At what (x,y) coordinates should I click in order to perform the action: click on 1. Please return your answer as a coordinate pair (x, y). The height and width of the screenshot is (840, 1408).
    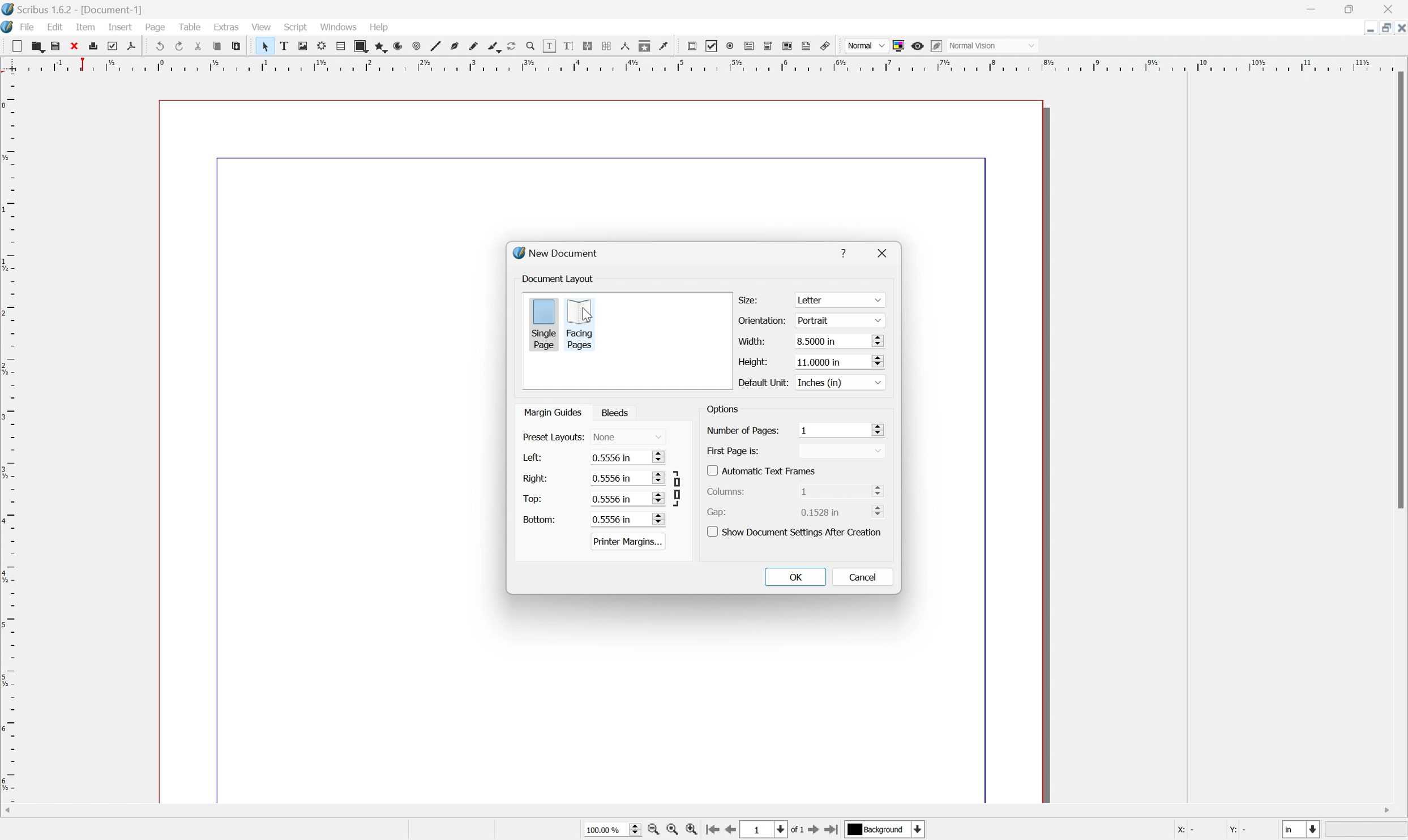
    Looking at the image, I should click on (841, 490).